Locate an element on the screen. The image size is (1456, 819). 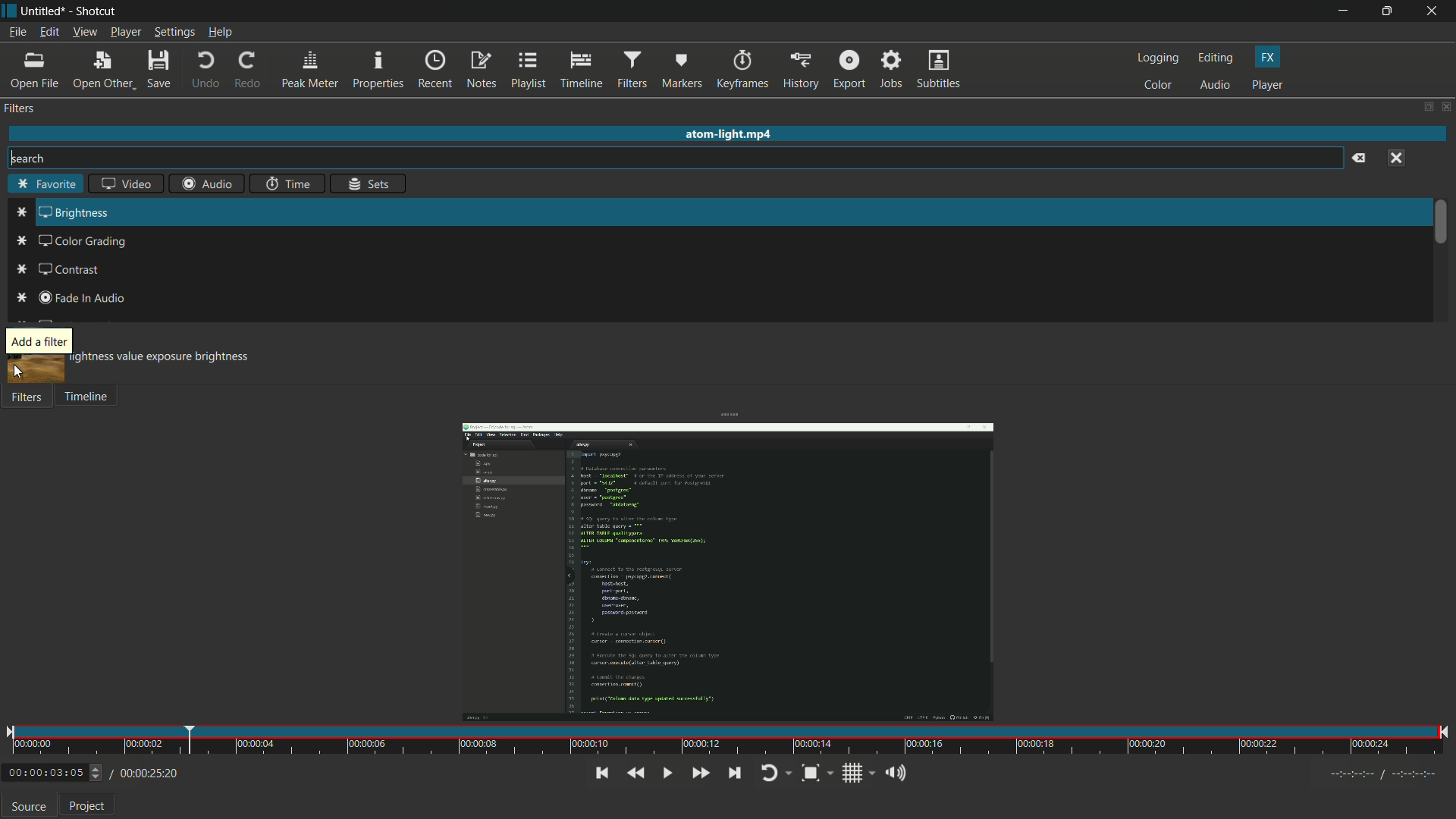
save is located at coordinates (160, 70).